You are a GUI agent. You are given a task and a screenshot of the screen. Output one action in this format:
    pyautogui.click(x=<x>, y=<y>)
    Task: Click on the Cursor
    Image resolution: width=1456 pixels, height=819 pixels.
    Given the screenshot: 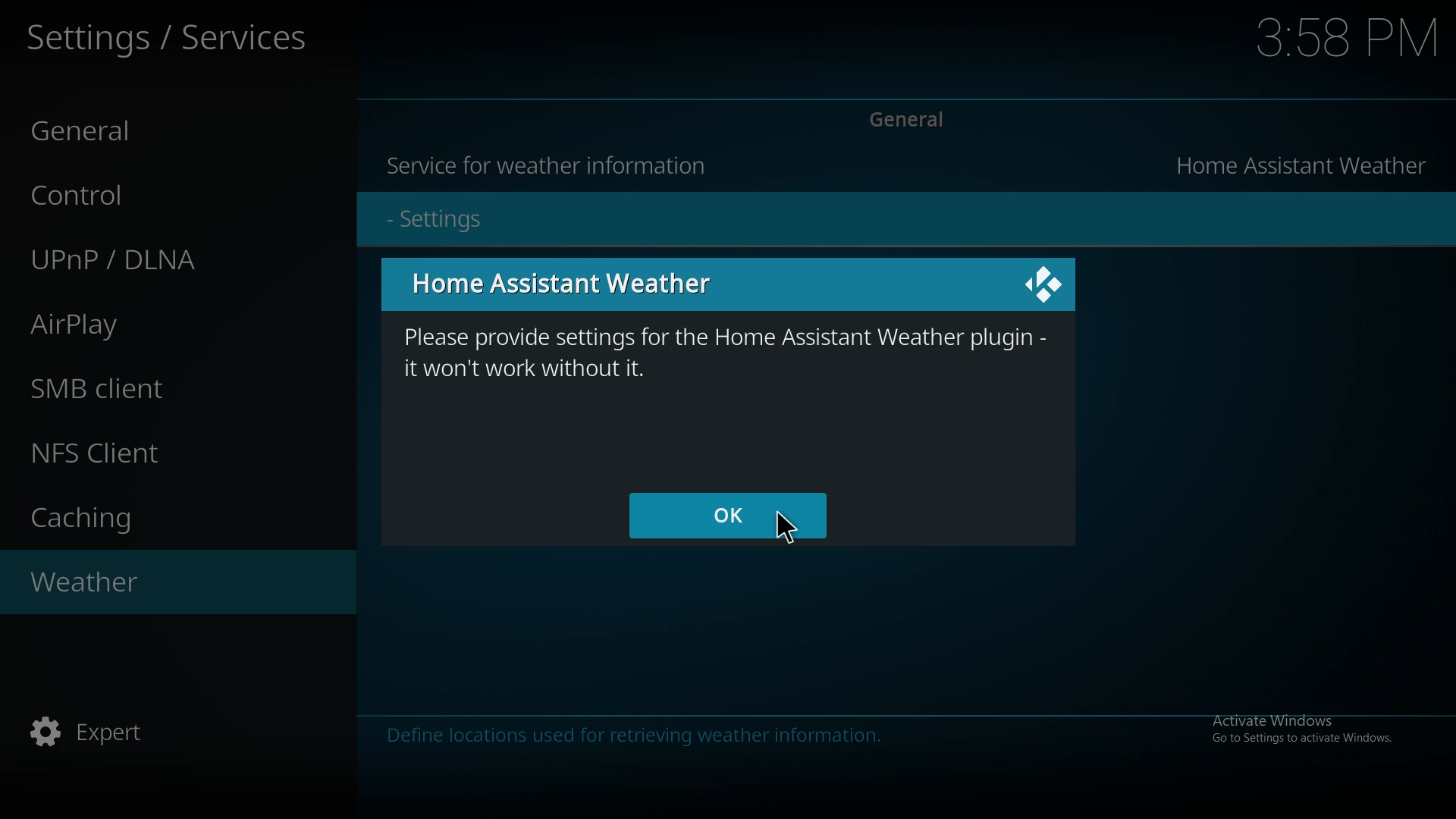 What is the action you would take?
    pyautogui.click(x=794, y=535)
    